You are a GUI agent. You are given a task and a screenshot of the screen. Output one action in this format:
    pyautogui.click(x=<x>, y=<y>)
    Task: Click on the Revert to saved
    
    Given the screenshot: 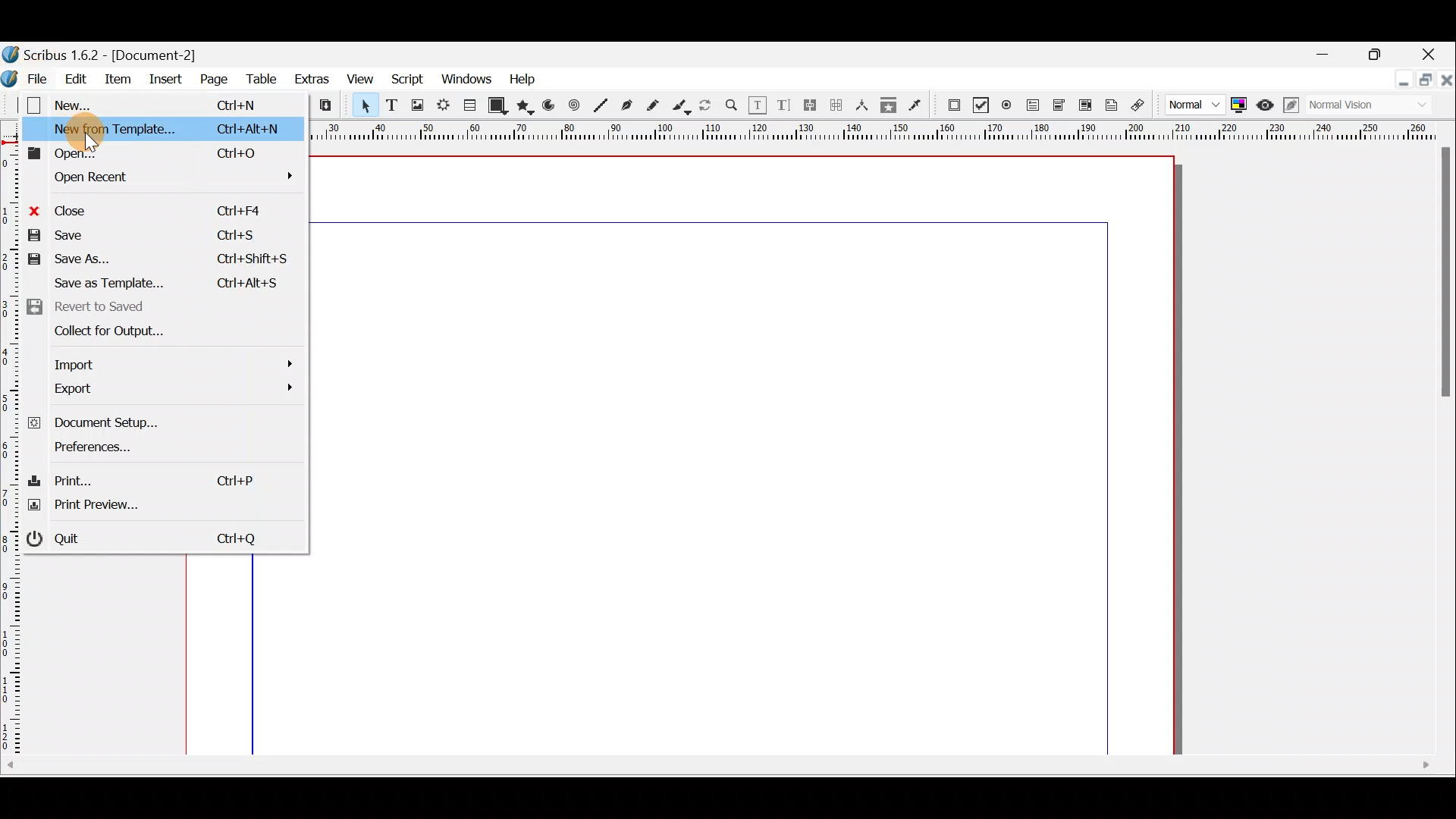 What is the action you would take?
    pyautogui.click(x=163, y=307)
    